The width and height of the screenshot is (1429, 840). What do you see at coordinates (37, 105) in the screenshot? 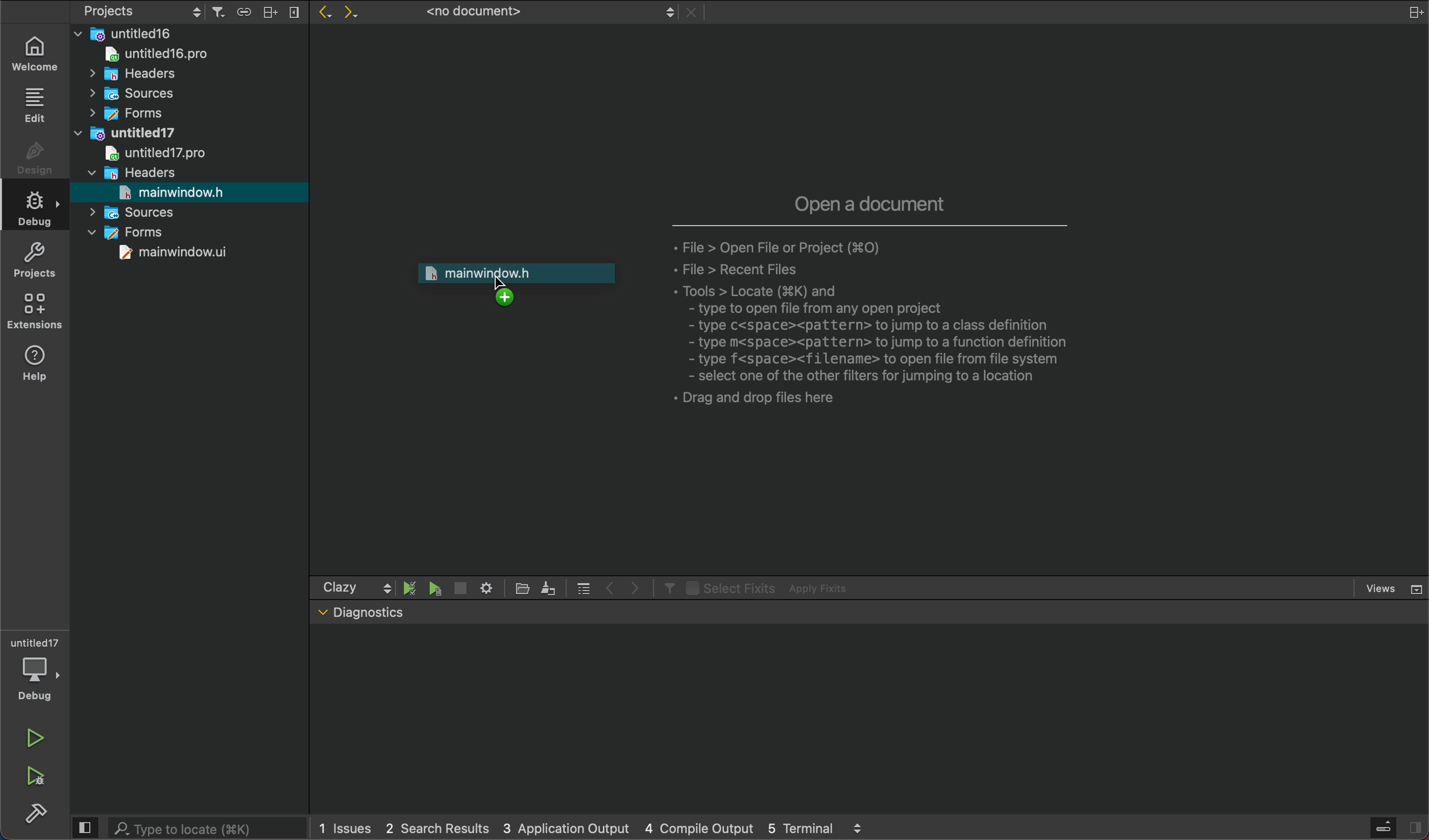
I see `EDIT` at bounding box center [37, 105].